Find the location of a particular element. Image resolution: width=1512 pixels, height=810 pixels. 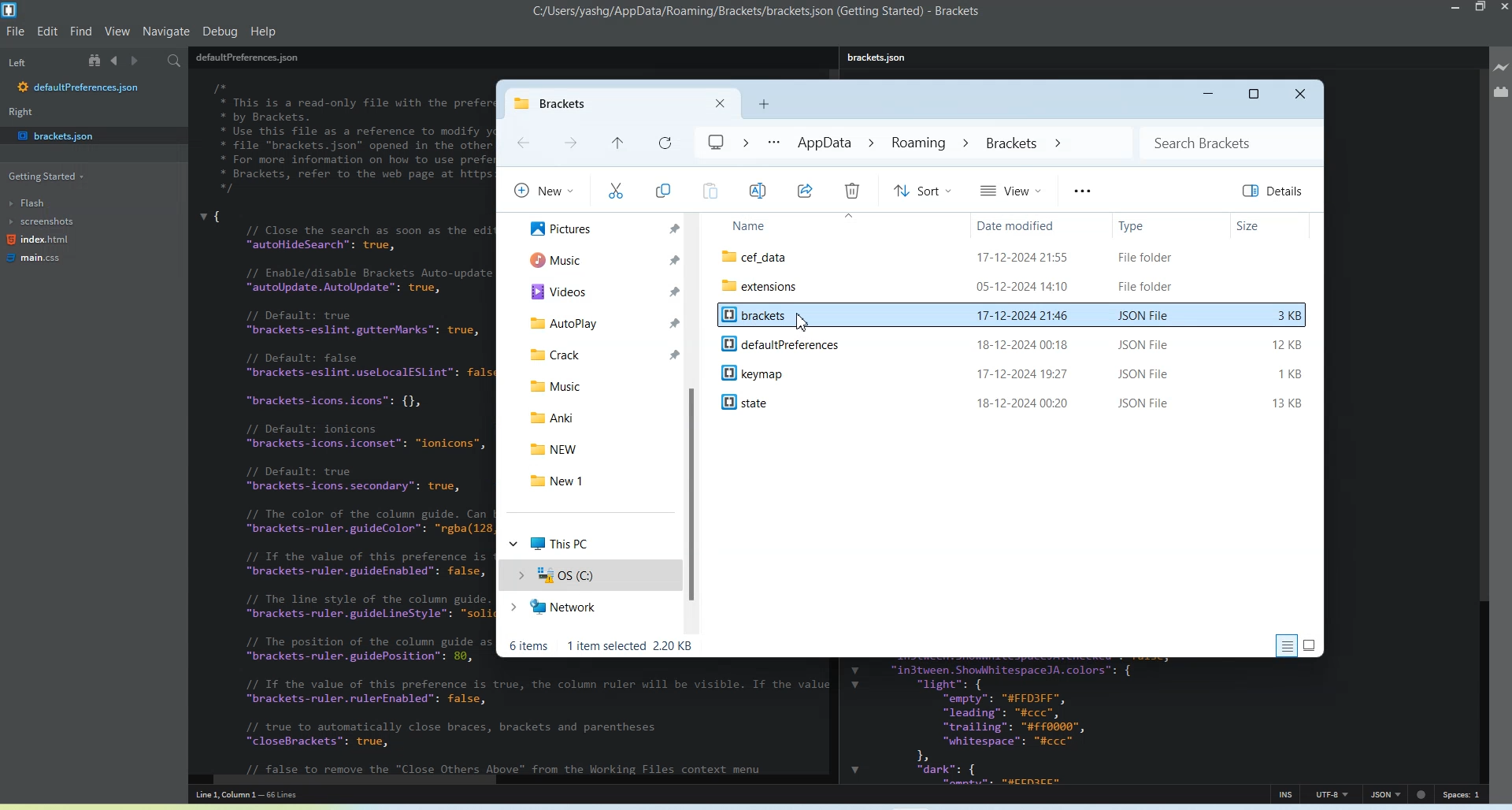

6 items - 1 item selected 2.20kb is located at coordinates (602, 646).